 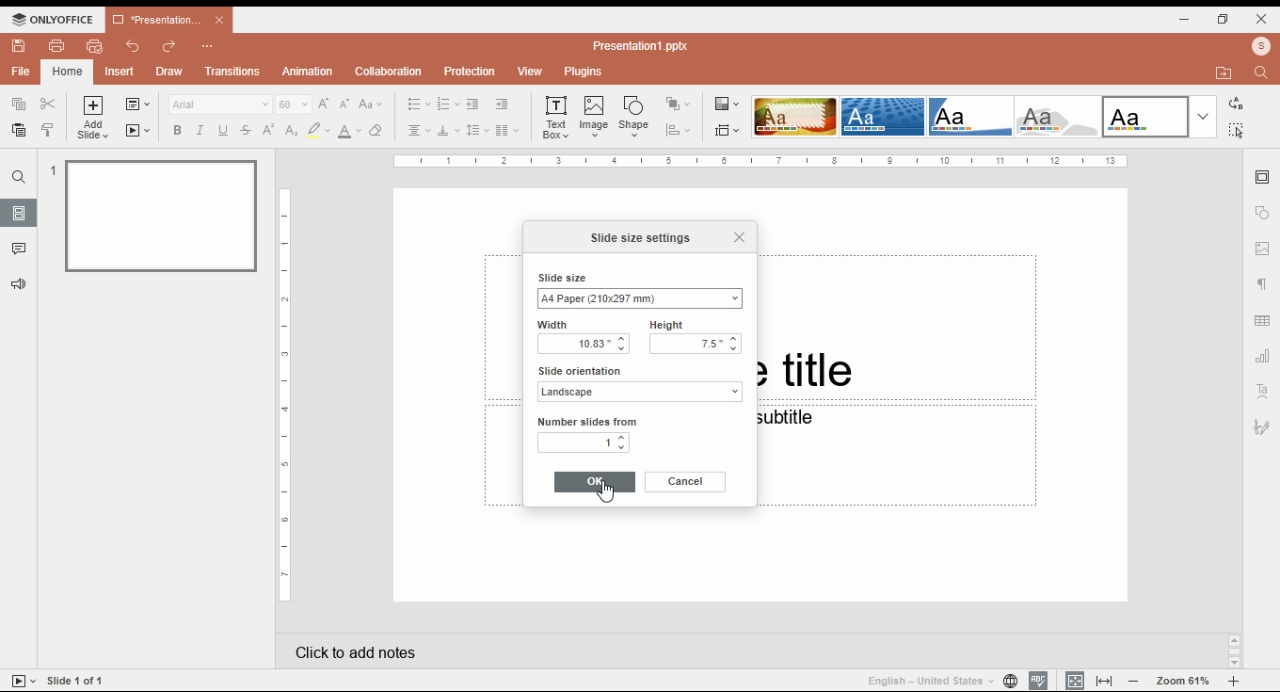 I want to click on close, so click(x=1262, y=18).